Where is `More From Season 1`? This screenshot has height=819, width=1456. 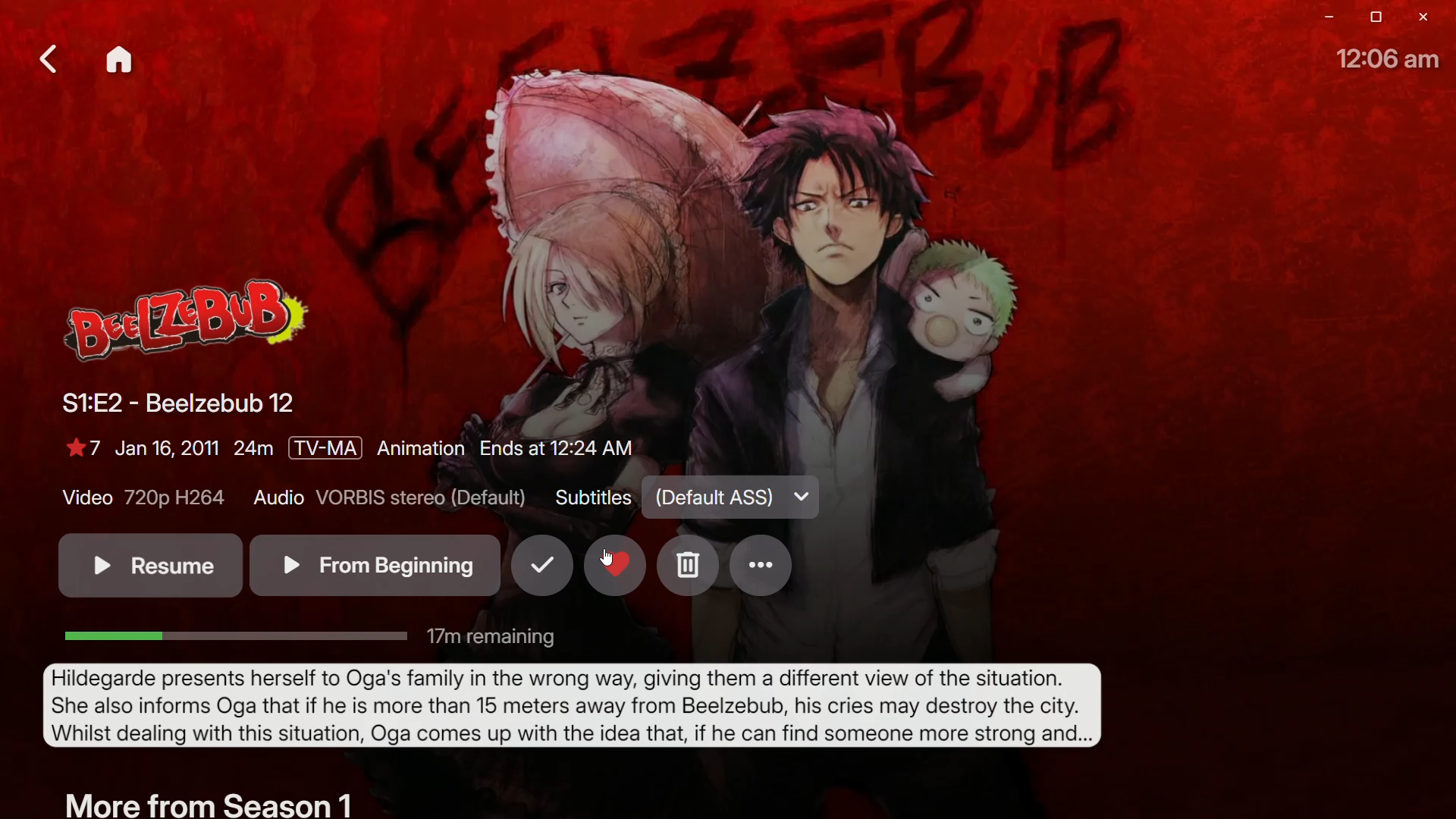
More From Season 1 is located at coordinates (208, 801).